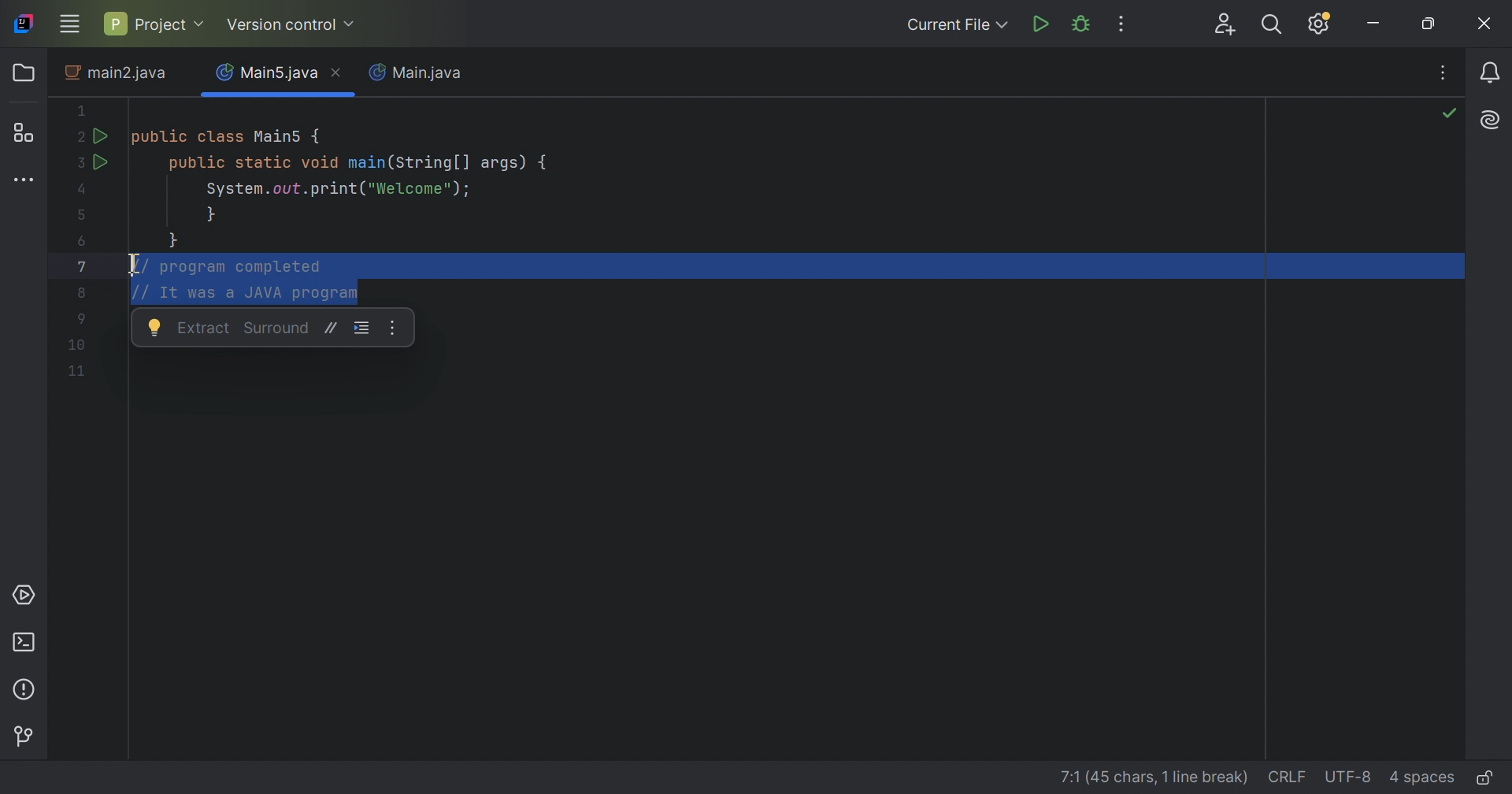 This screenshot has width=1512, height=794. I want to click on Services, so click(28, 597).